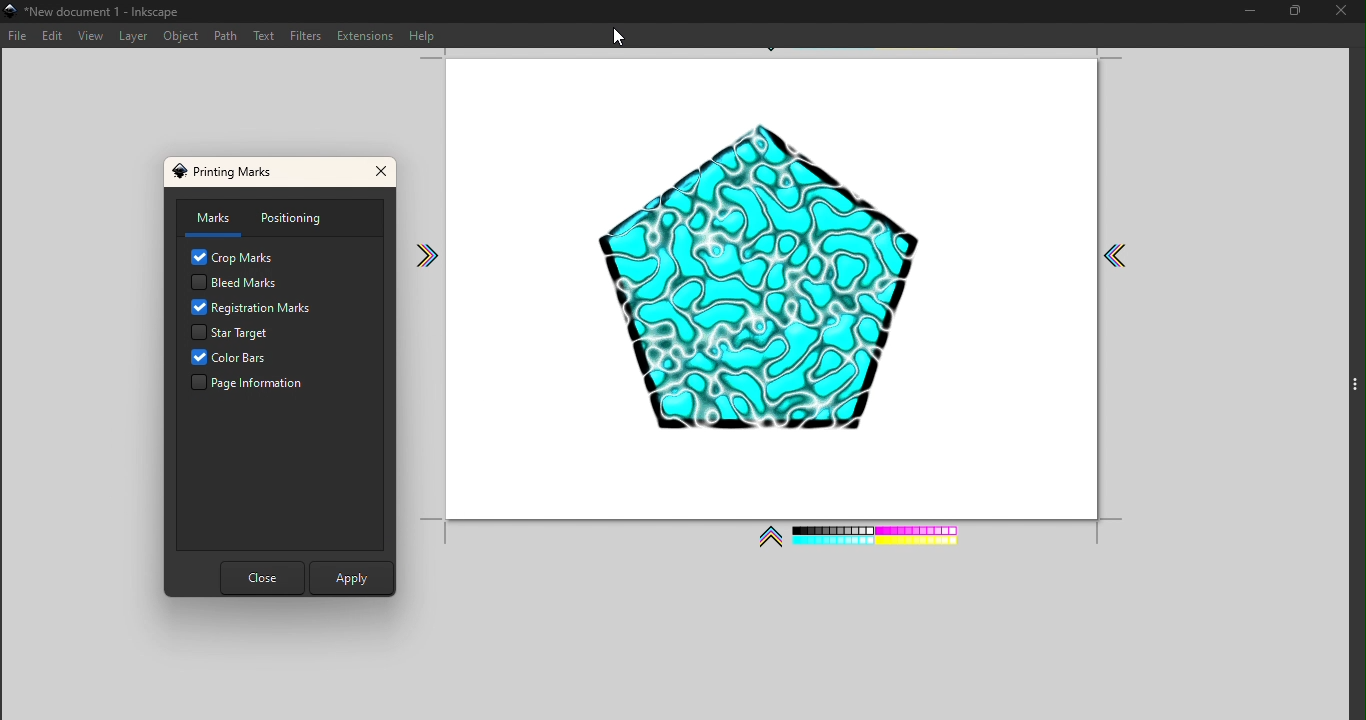 Image resolution: width=1366 pixels, height=720 pixels. I want to click on Cursor, so click(617, 36).